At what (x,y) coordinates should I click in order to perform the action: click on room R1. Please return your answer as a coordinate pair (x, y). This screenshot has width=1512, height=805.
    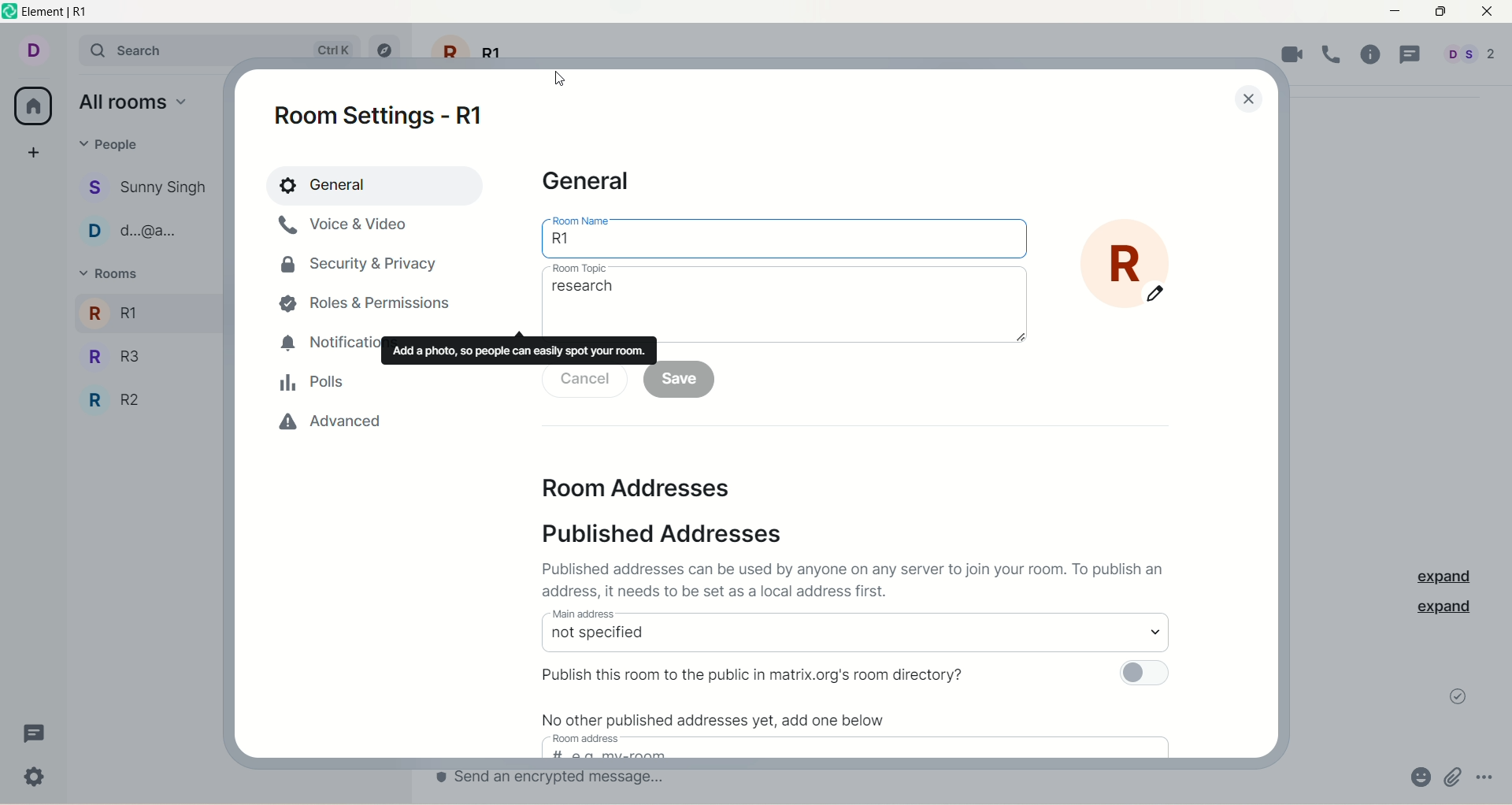
    Looking at the image, I should click on (1136, 269).